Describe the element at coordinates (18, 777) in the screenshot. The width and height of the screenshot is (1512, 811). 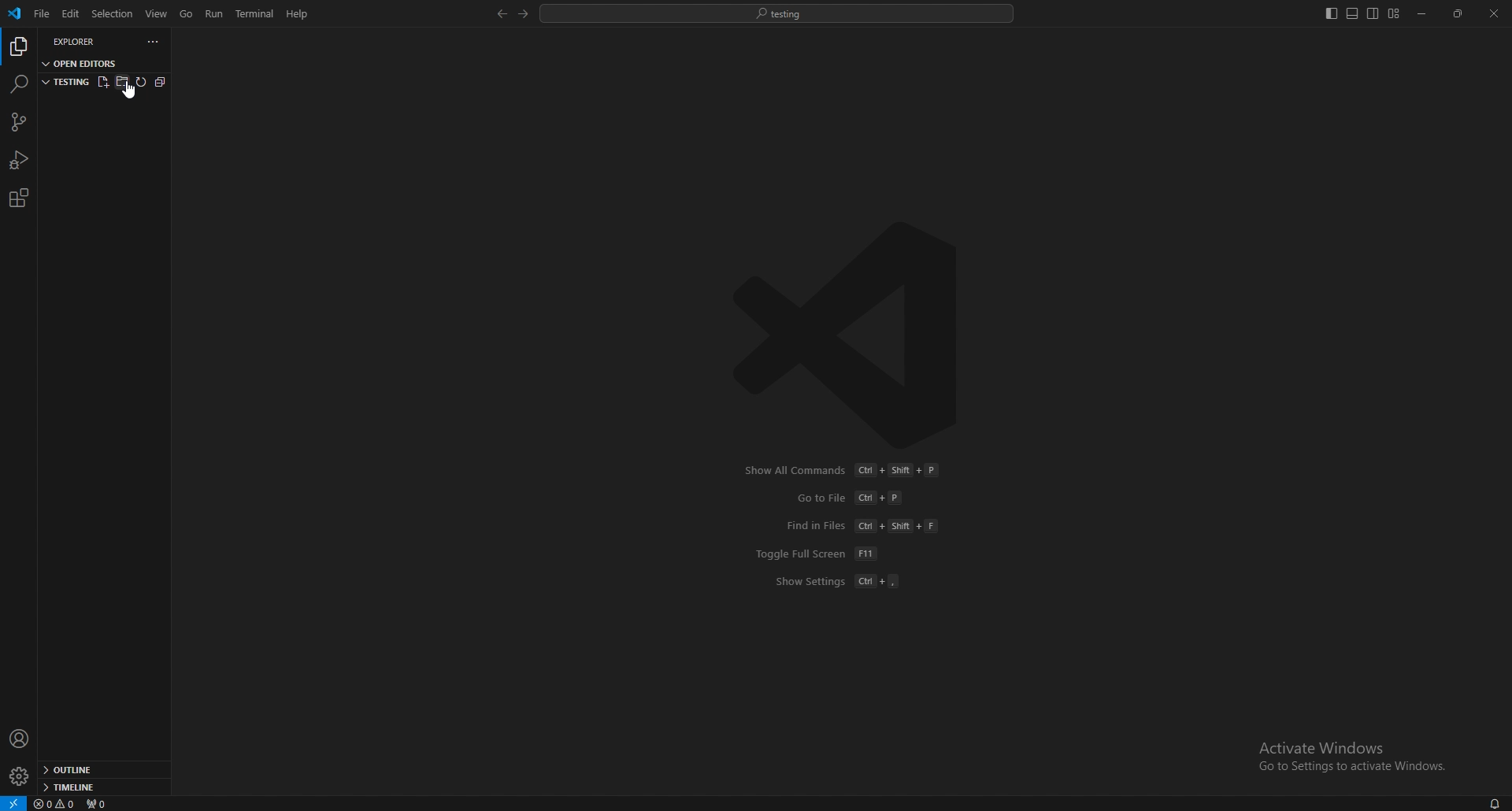
I see `settings` at that location.